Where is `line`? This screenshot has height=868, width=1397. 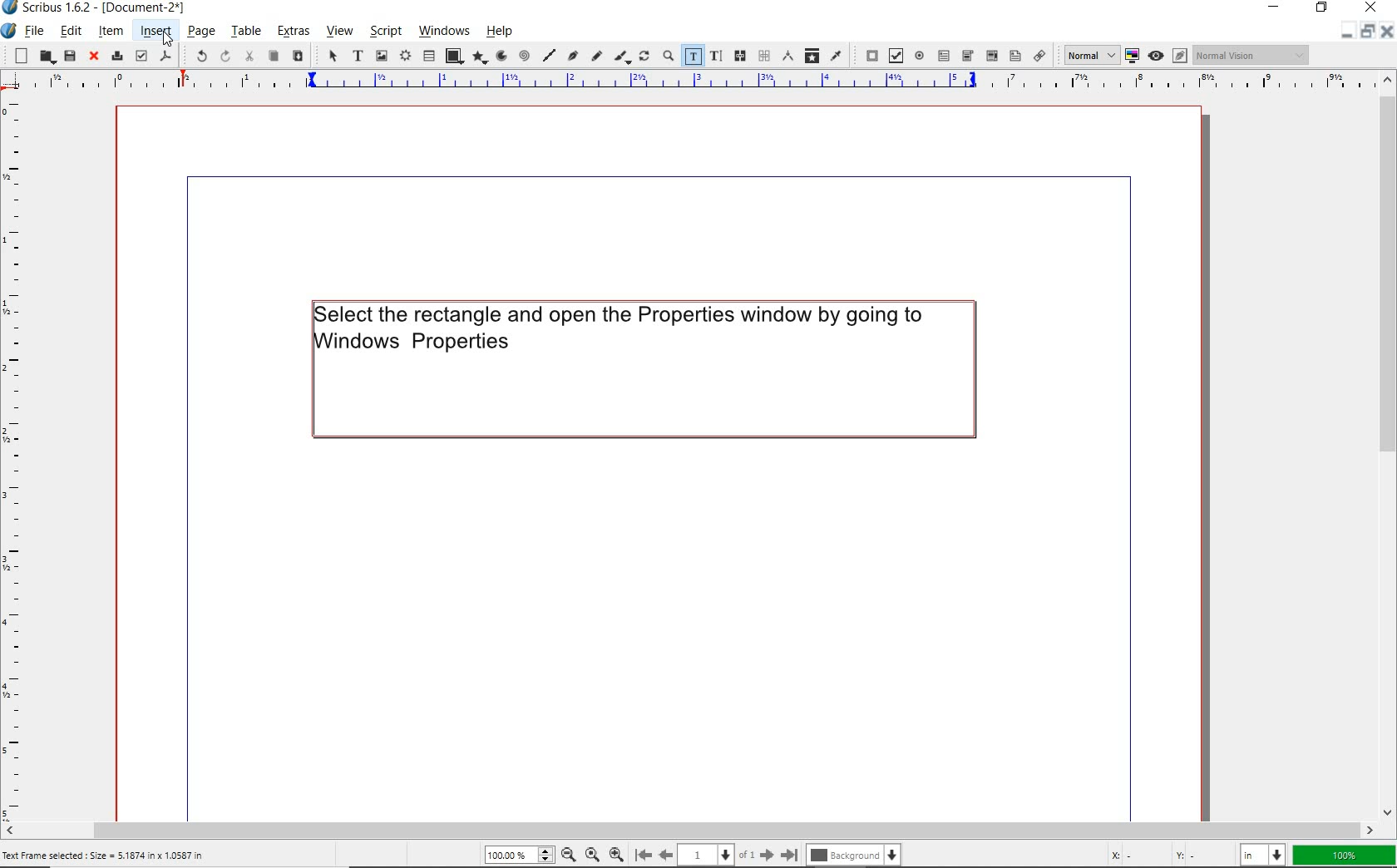
line is located at coordinates (550, 55).